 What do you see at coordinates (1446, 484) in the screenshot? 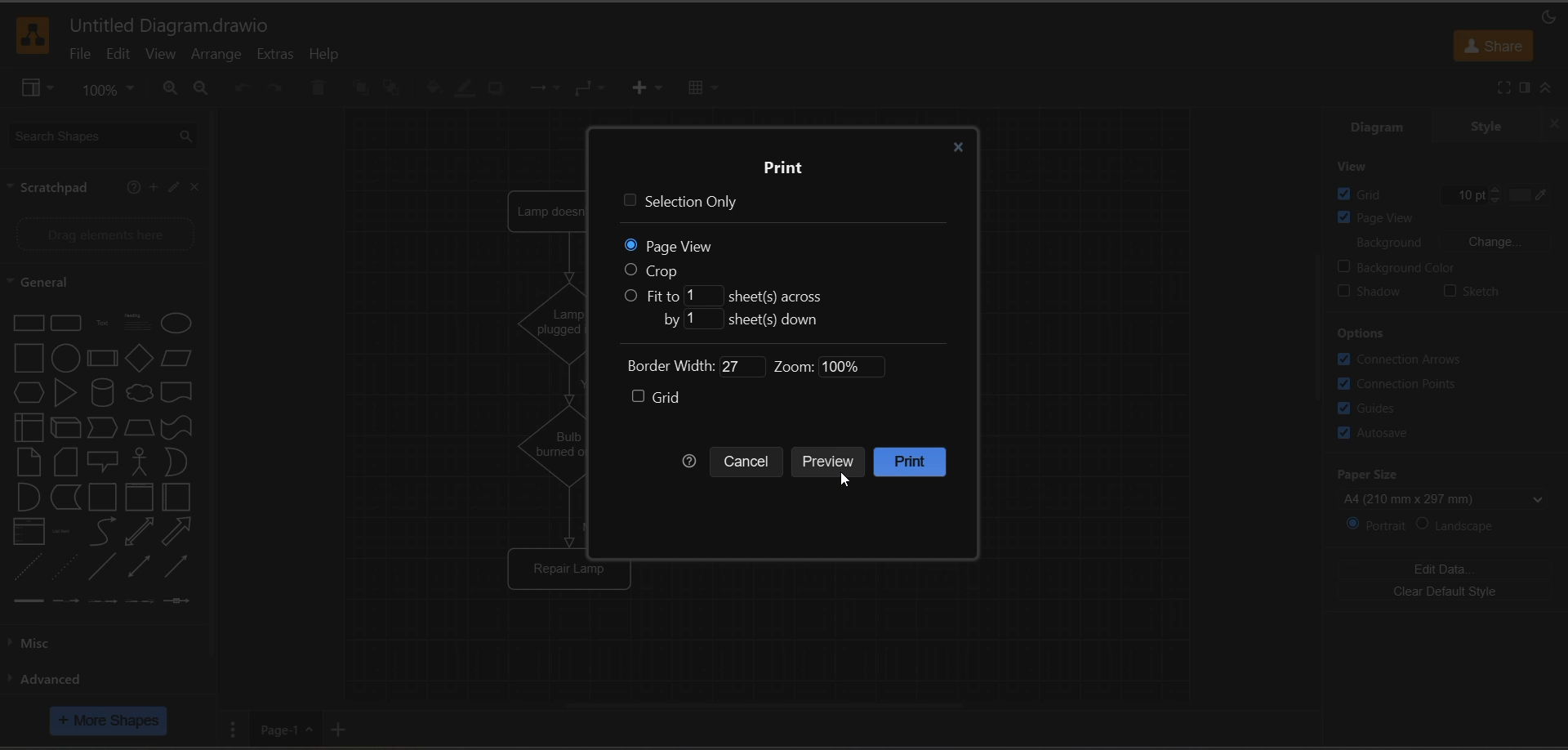
I see `paper size` at bounding box center [1446, 484].